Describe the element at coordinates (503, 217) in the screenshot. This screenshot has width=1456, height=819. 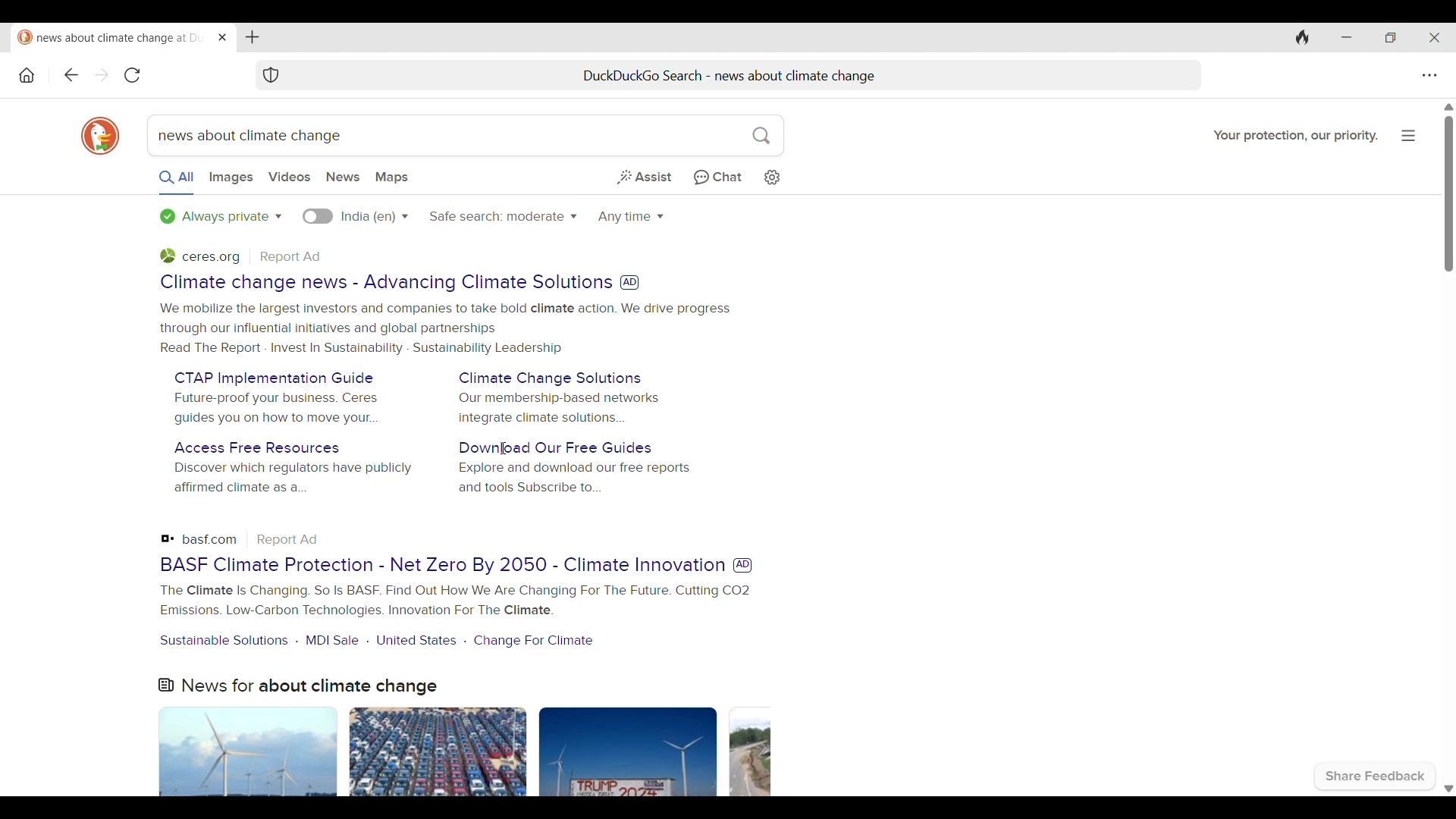
I see `Safe search options` at that location.